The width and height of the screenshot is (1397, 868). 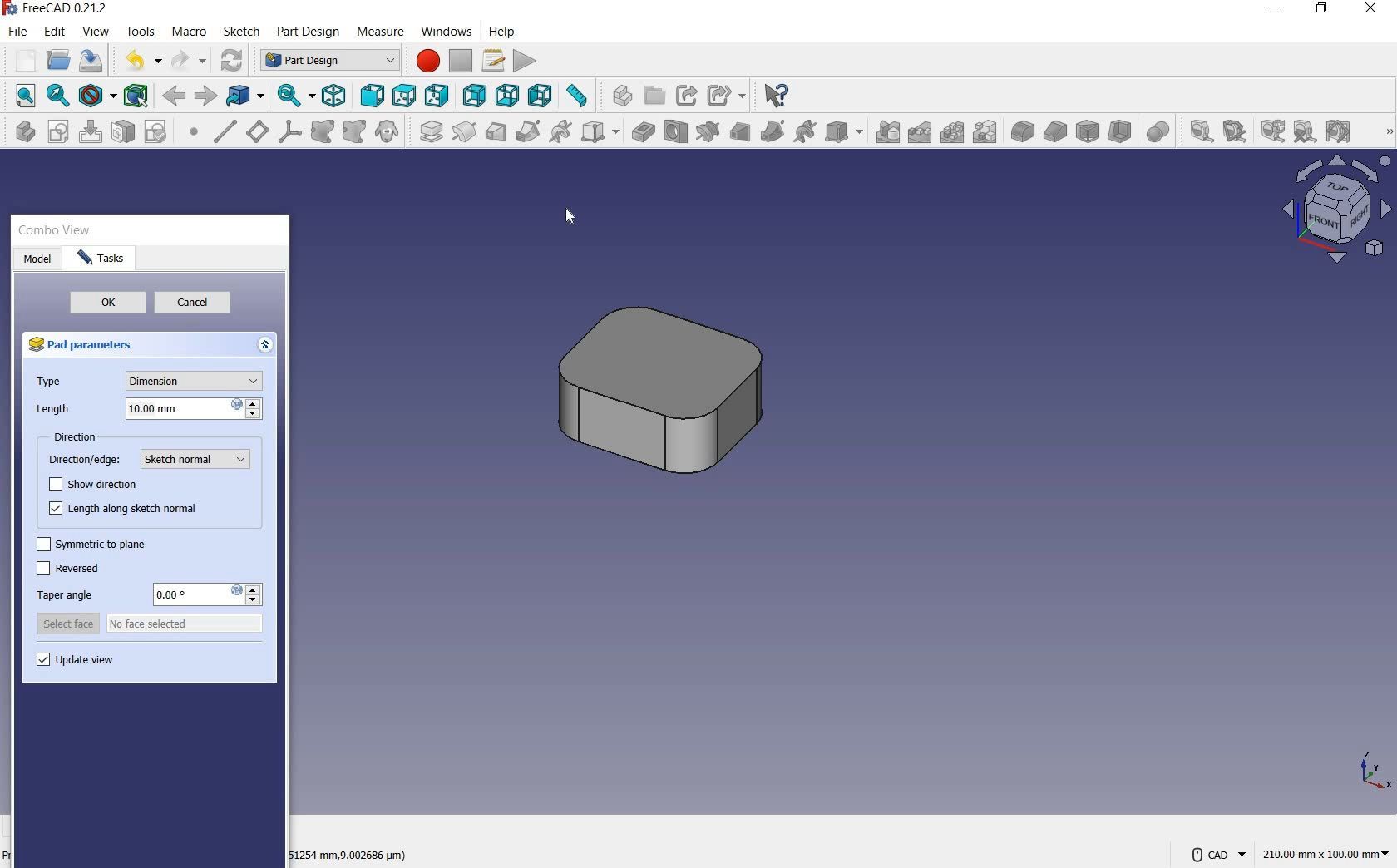 What do you see at coordinates (1273, 131) in the screenshot?
I see `refresh` at bounding box center [1273, 131].